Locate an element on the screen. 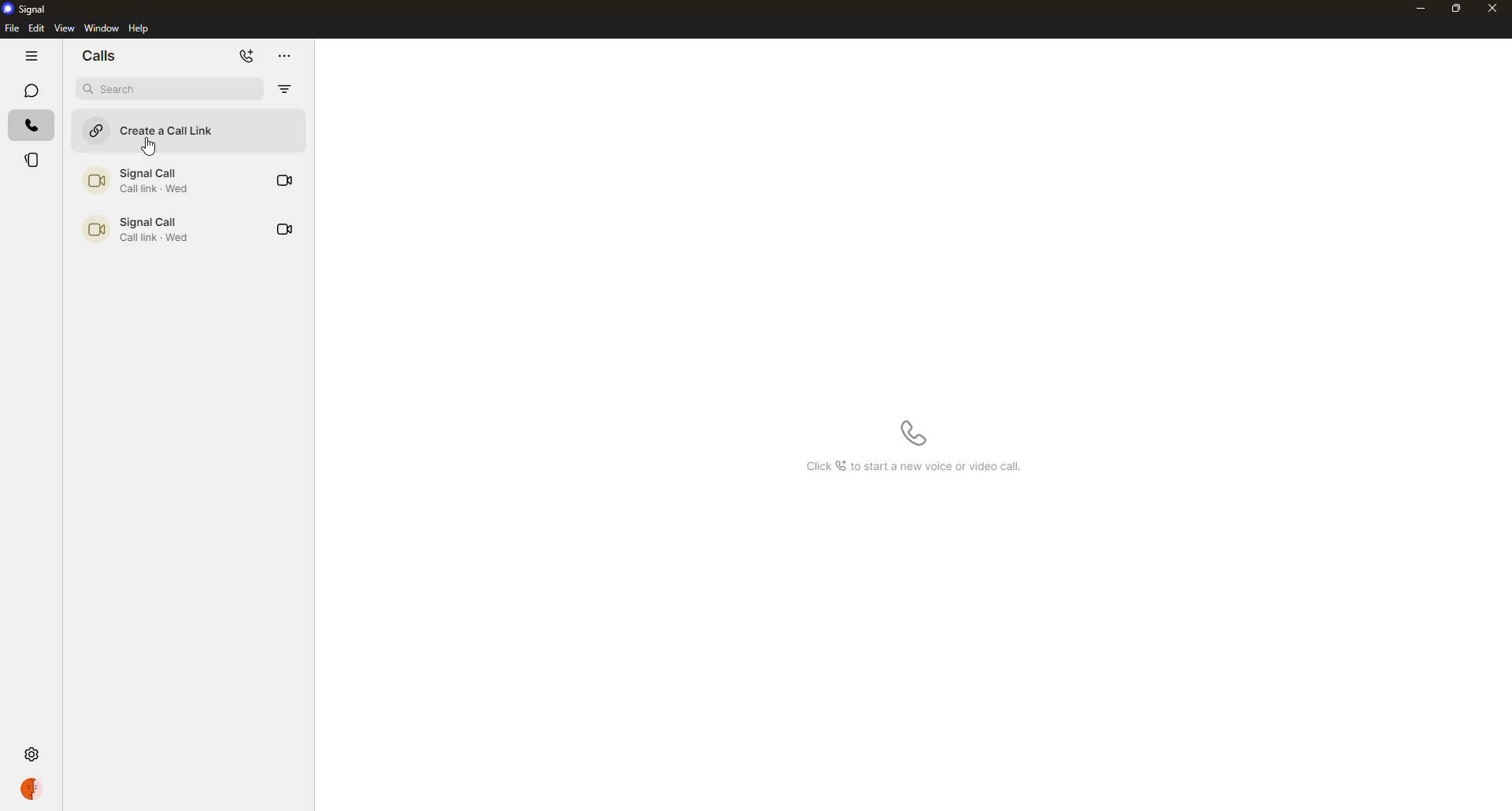 The width and height of the screenshot is (1512, 811). maximize is located at coordinates (1455, 9).